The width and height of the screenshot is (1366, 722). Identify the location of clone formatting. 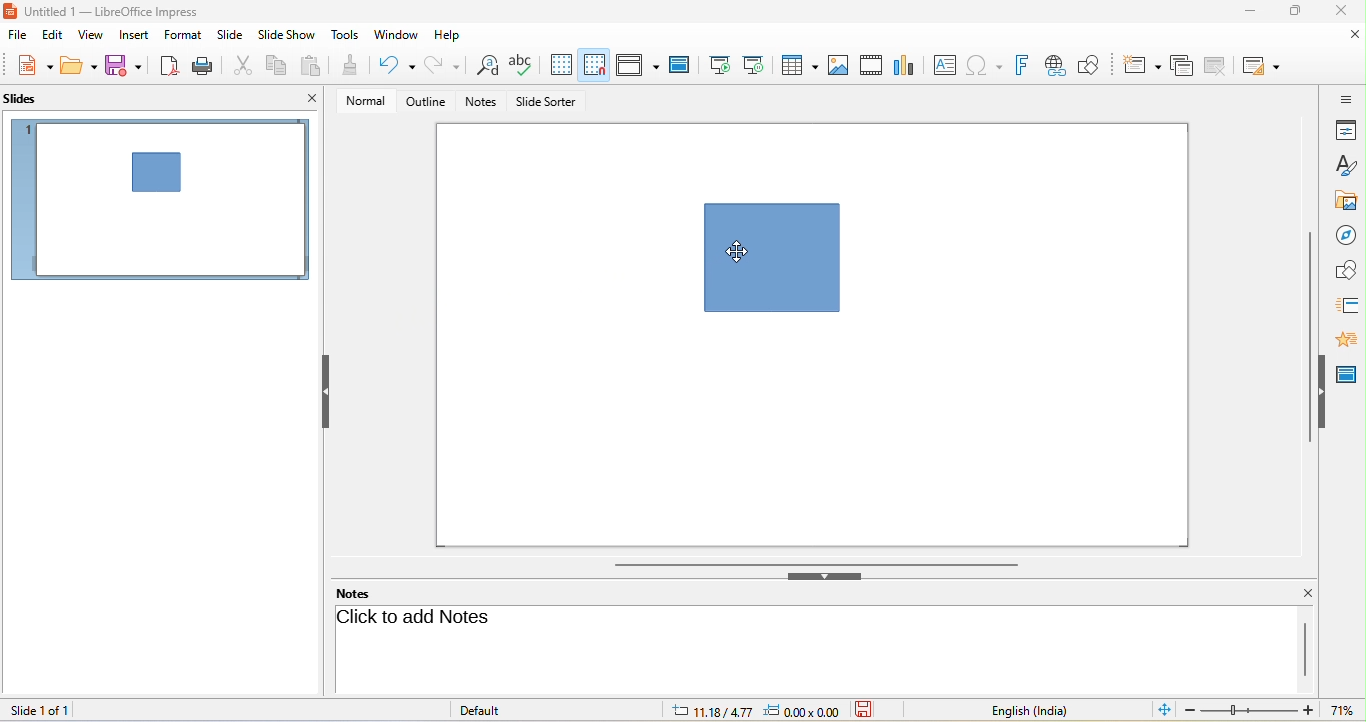
(349, 66).